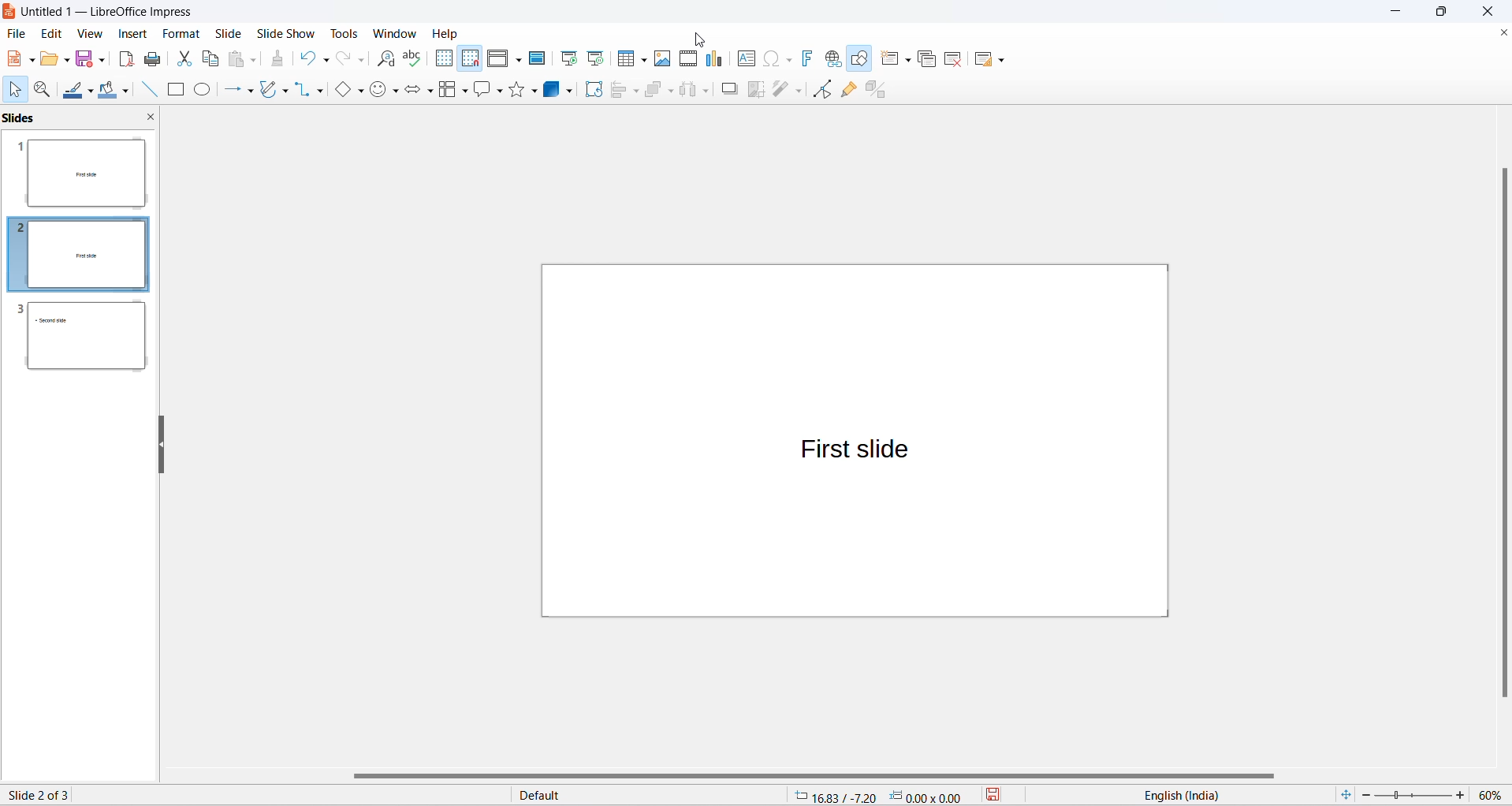 Image resolution: width=1512 pixels, height=806 pixels. What do you see at coordinates (259, 57) in the screenshot?
I see `paste options` at bounding box center [259, 57].